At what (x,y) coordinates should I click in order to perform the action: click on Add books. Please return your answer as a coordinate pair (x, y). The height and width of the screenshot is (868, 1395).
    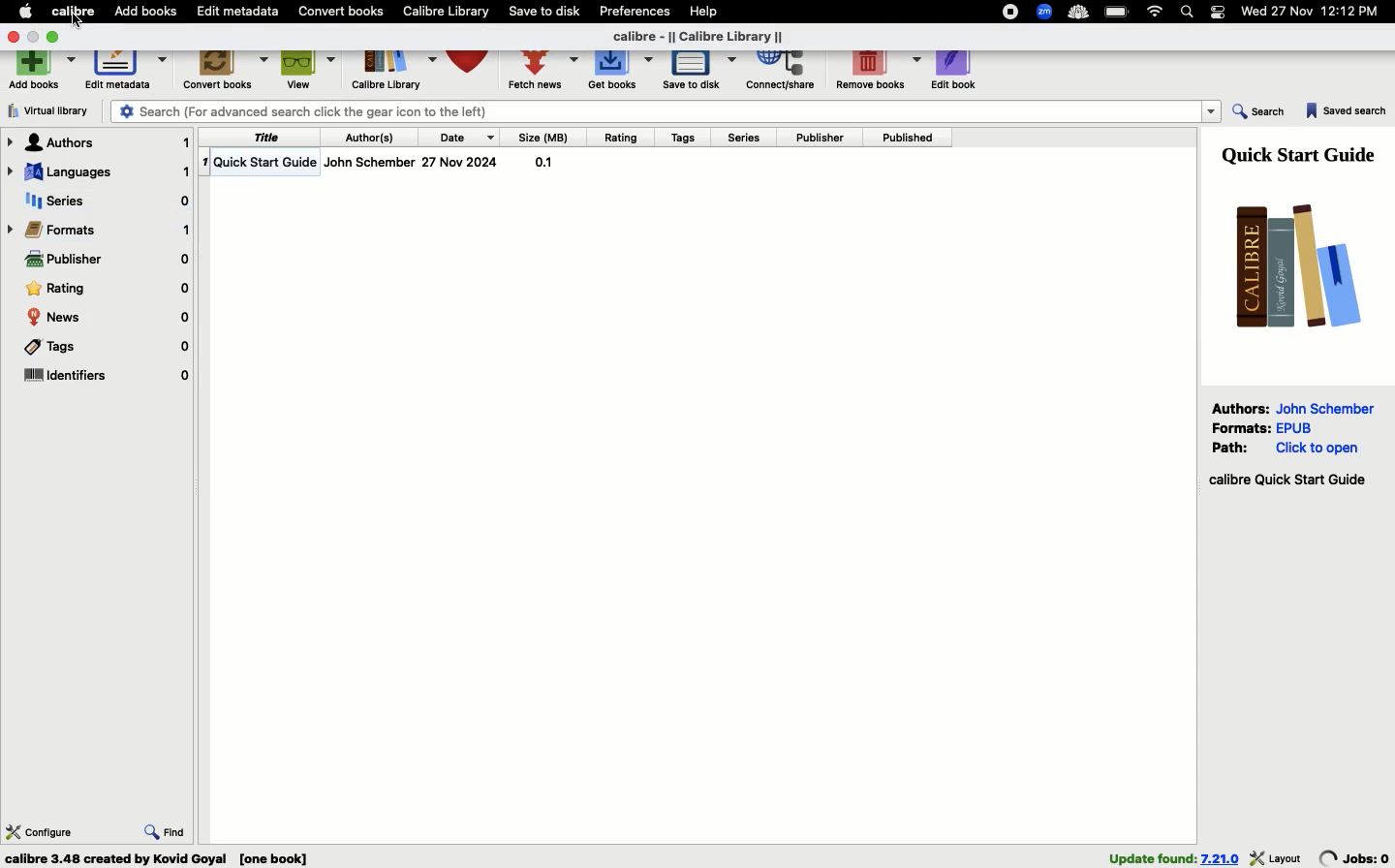
    Looking at the image, I should click on (44, 70).